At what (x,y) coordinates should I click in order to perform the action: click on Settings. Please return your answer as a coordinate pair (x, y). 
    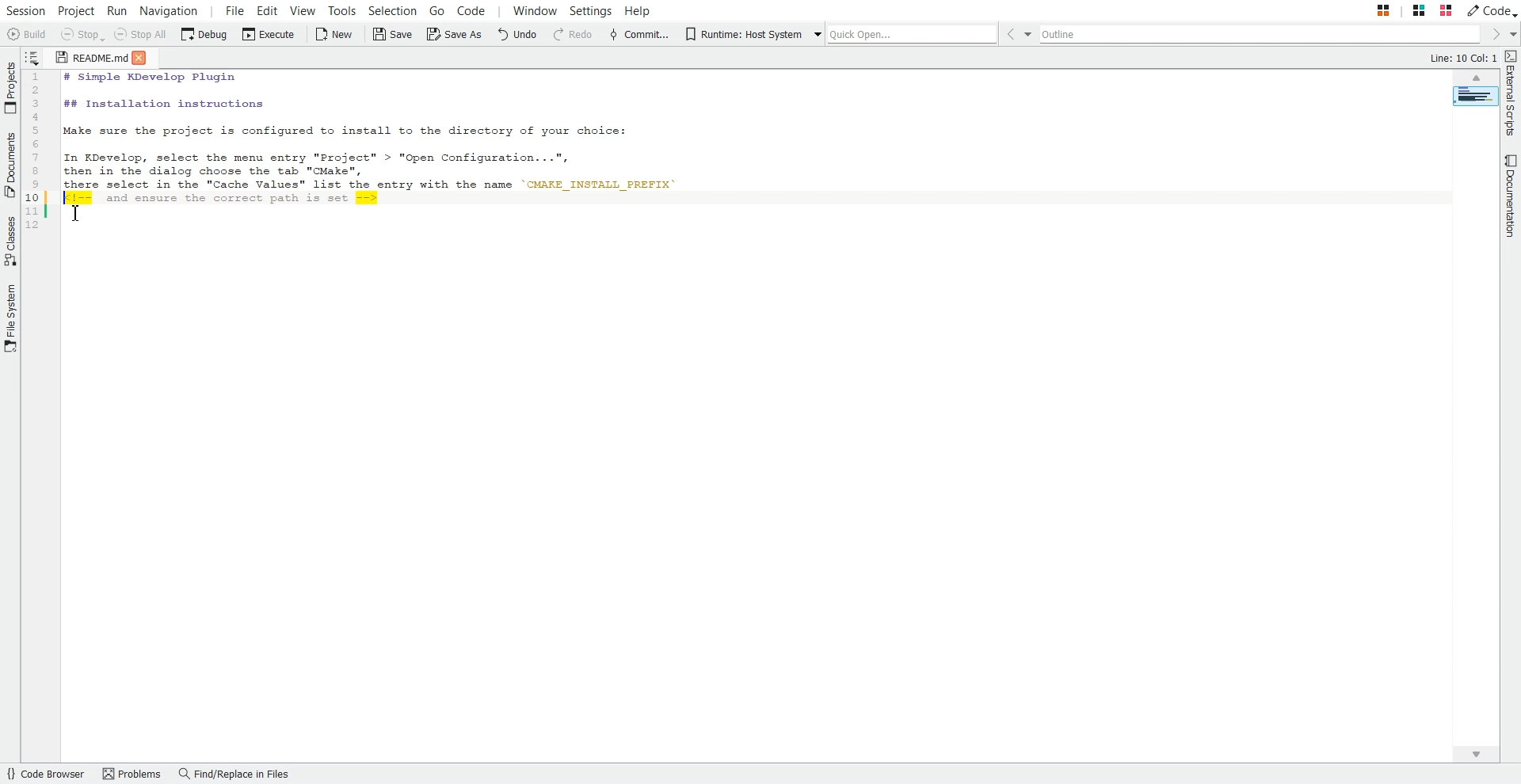
    Looking at the image, I should click on (592, 10).